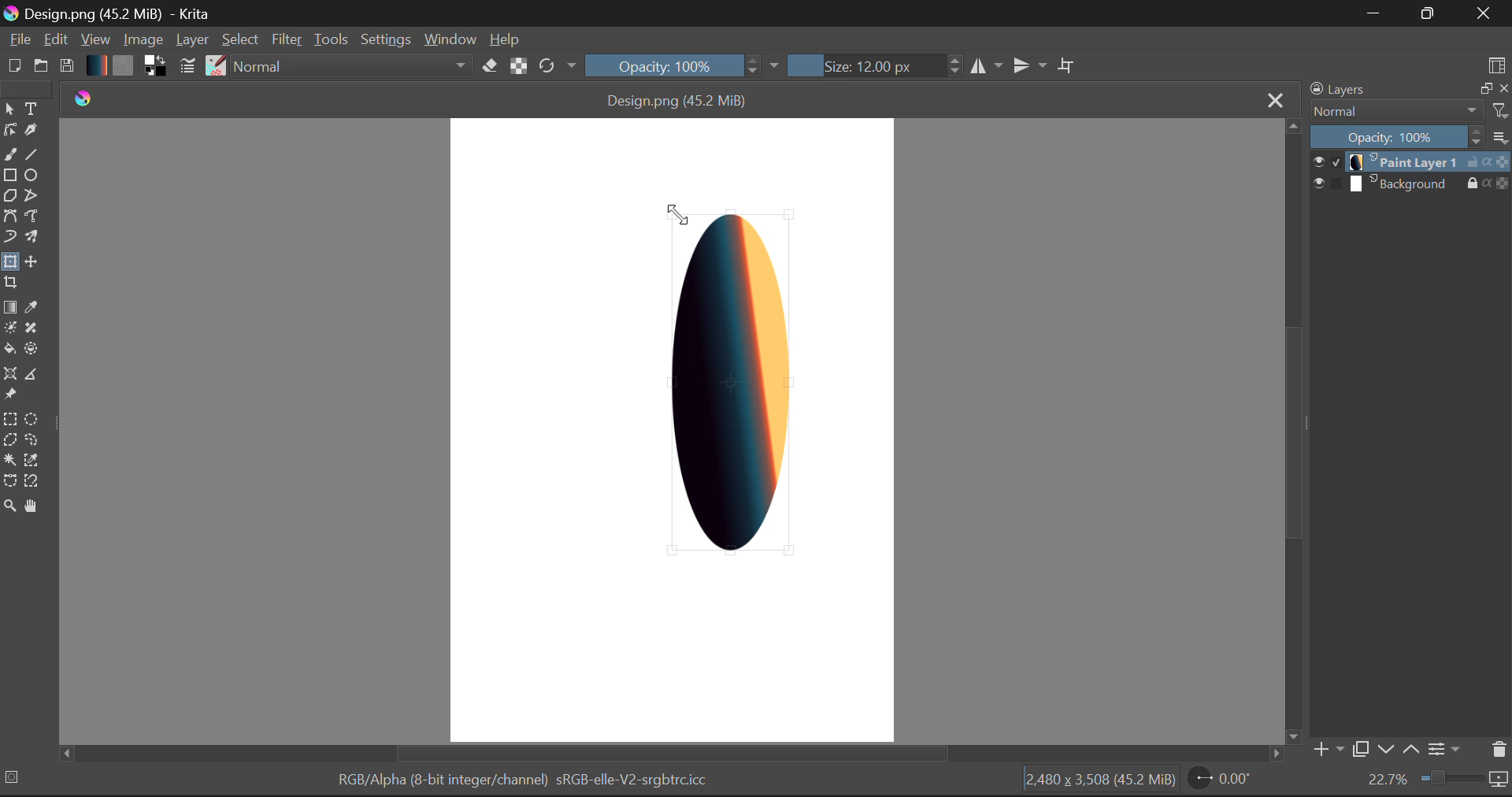 This screenshot has height=797, width=1512. Describe the element at coordinates (33, 508) in the screenshot. I see `Pan` at that location.